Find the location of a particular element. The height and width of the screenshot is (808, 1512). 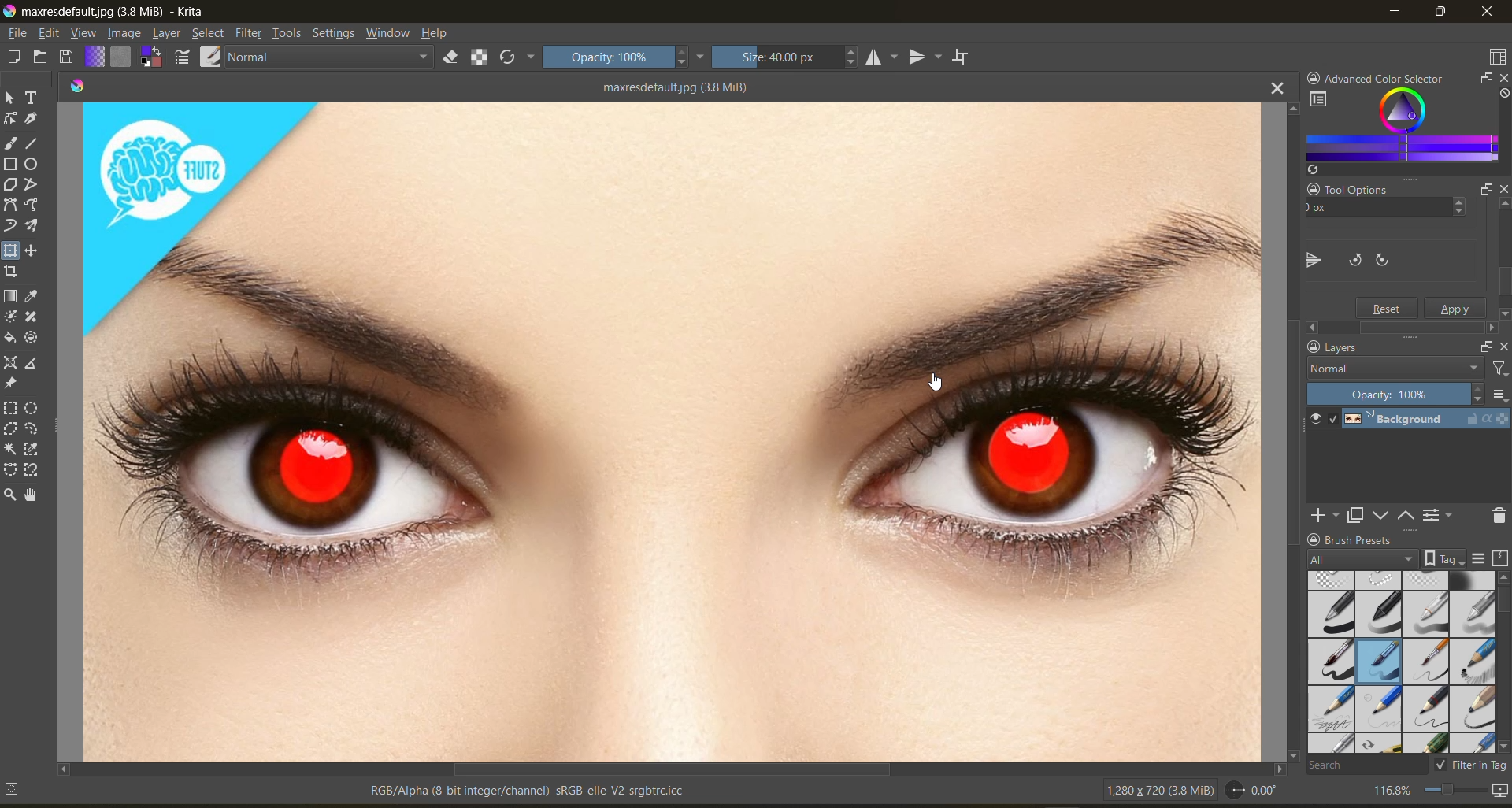

tool is located at coordinates (9, 362).